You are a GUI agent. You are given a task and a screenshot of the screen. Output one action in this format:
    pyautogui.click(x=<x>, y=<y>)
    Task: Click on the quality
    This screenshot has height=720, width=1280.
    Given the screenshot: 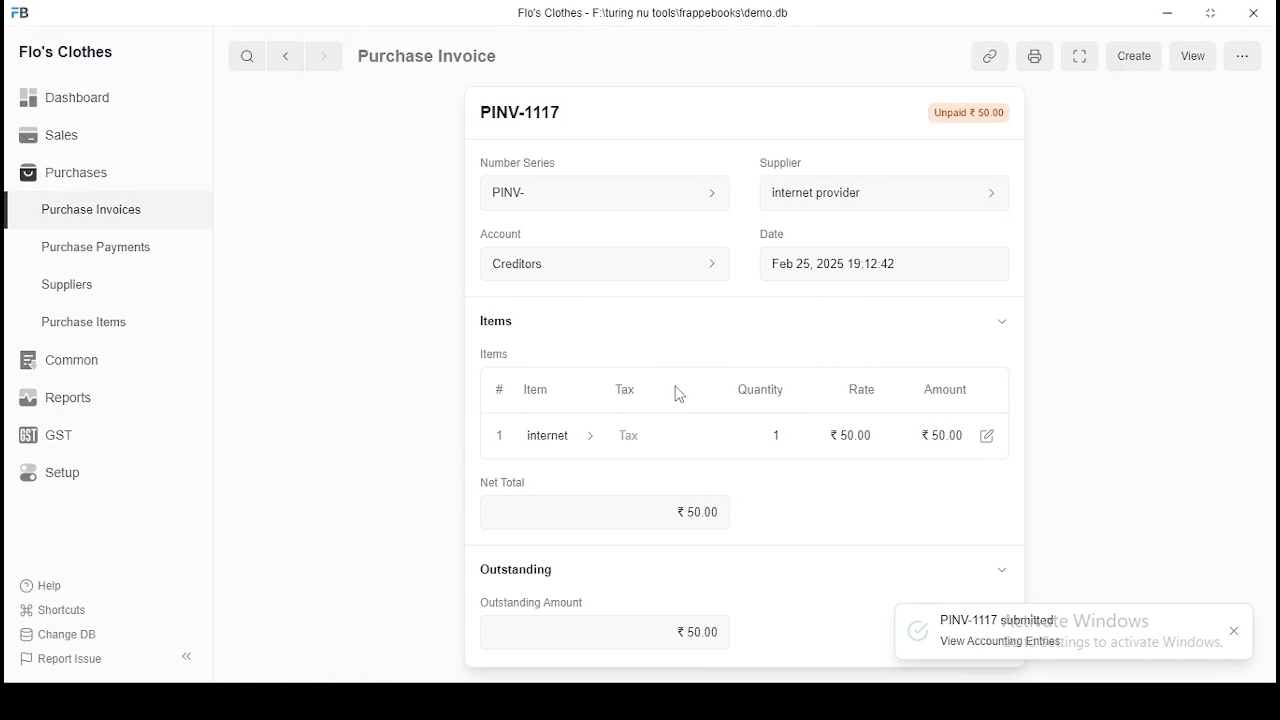 What is the action you would take?
    pyautogui.click(x=756, y=390)
    